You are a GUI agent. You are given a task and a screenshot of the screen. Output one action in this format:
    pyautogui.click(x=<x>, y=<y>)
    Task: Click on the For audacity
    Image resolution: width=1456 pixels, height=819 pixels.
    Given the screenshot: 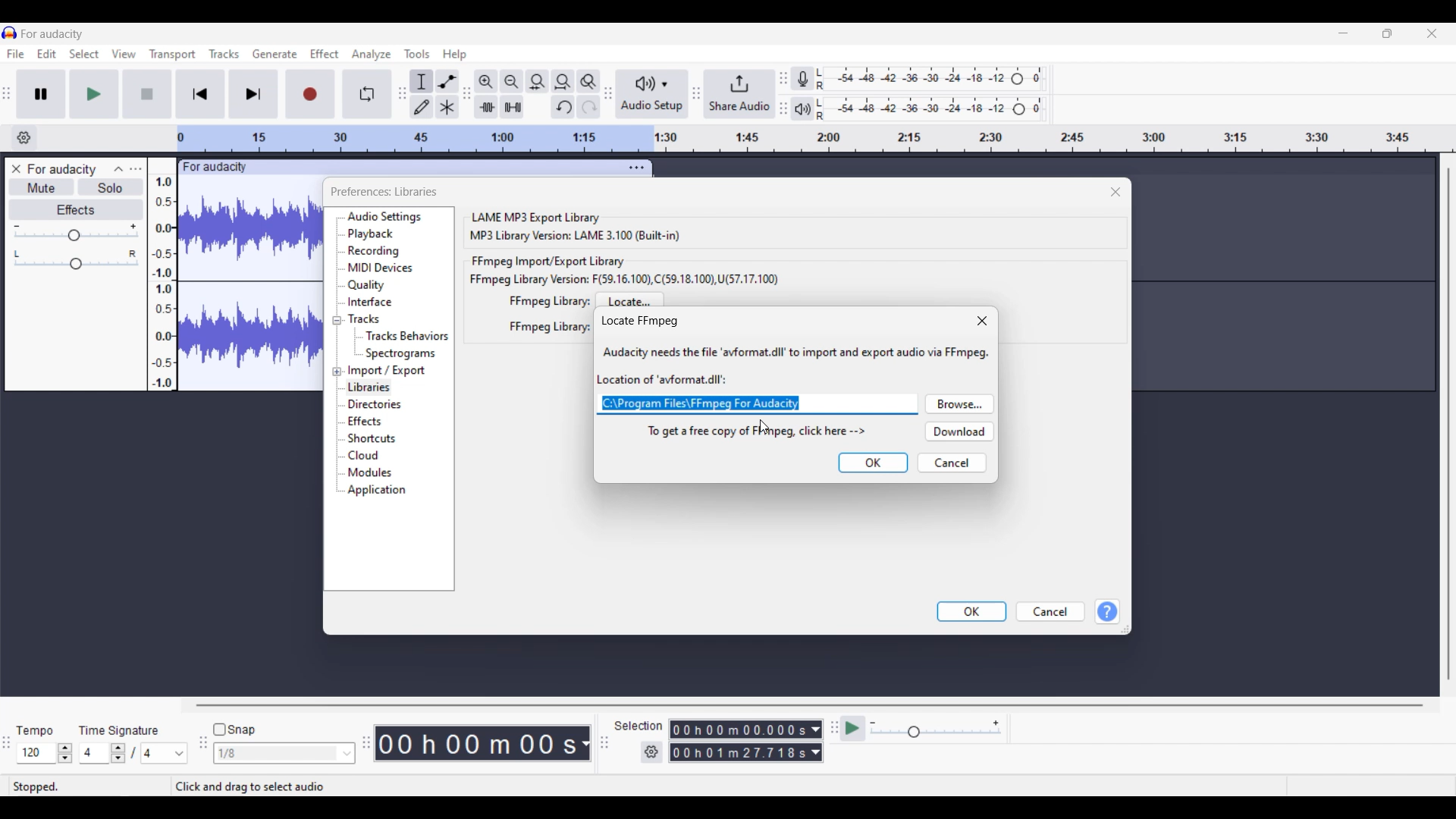 What is the action you would take?
    pyautogui.click(x=62, y=169)
    